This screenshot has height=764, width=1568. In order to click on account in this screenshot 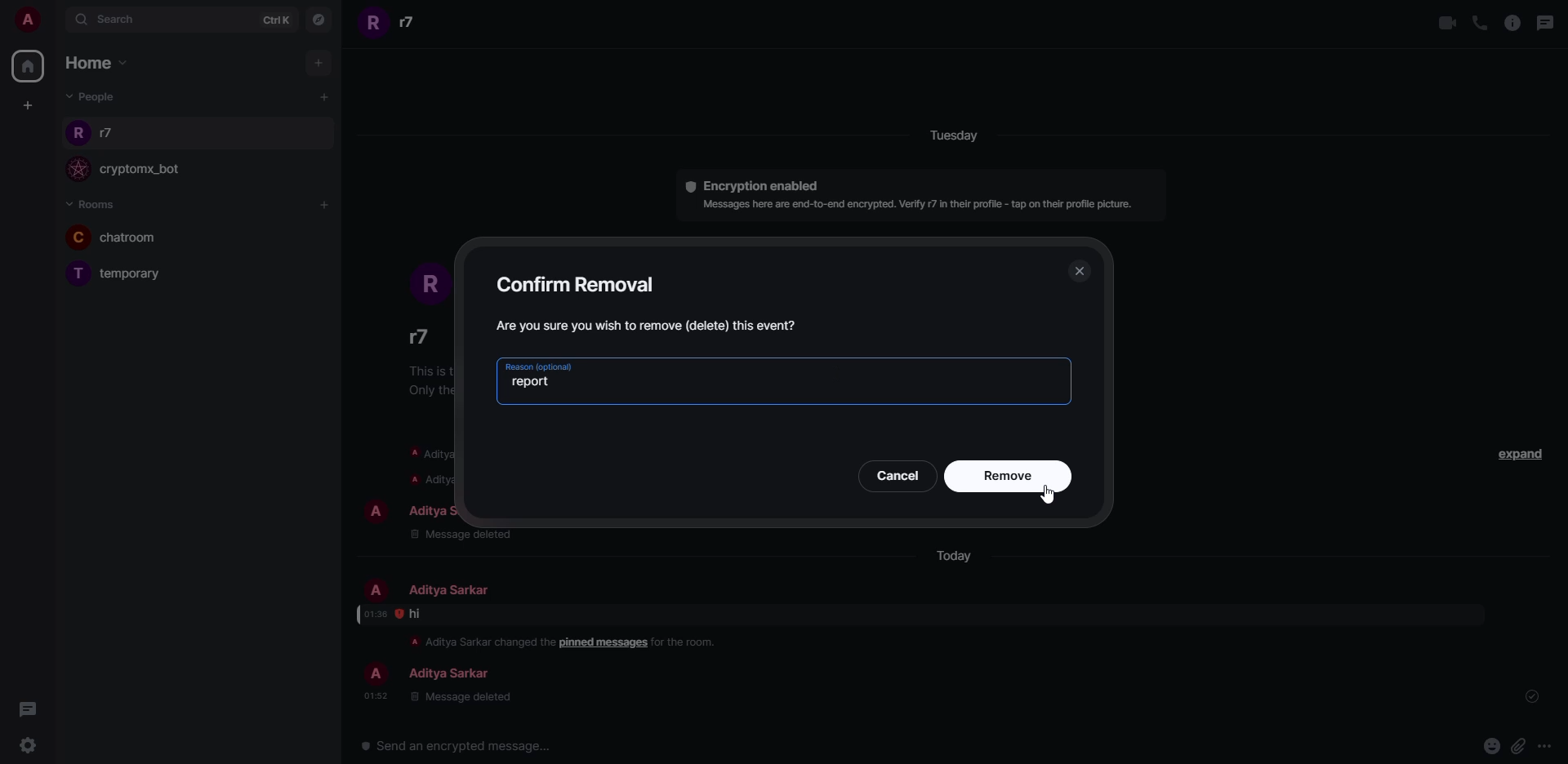, I will do `click(29, 20)`.